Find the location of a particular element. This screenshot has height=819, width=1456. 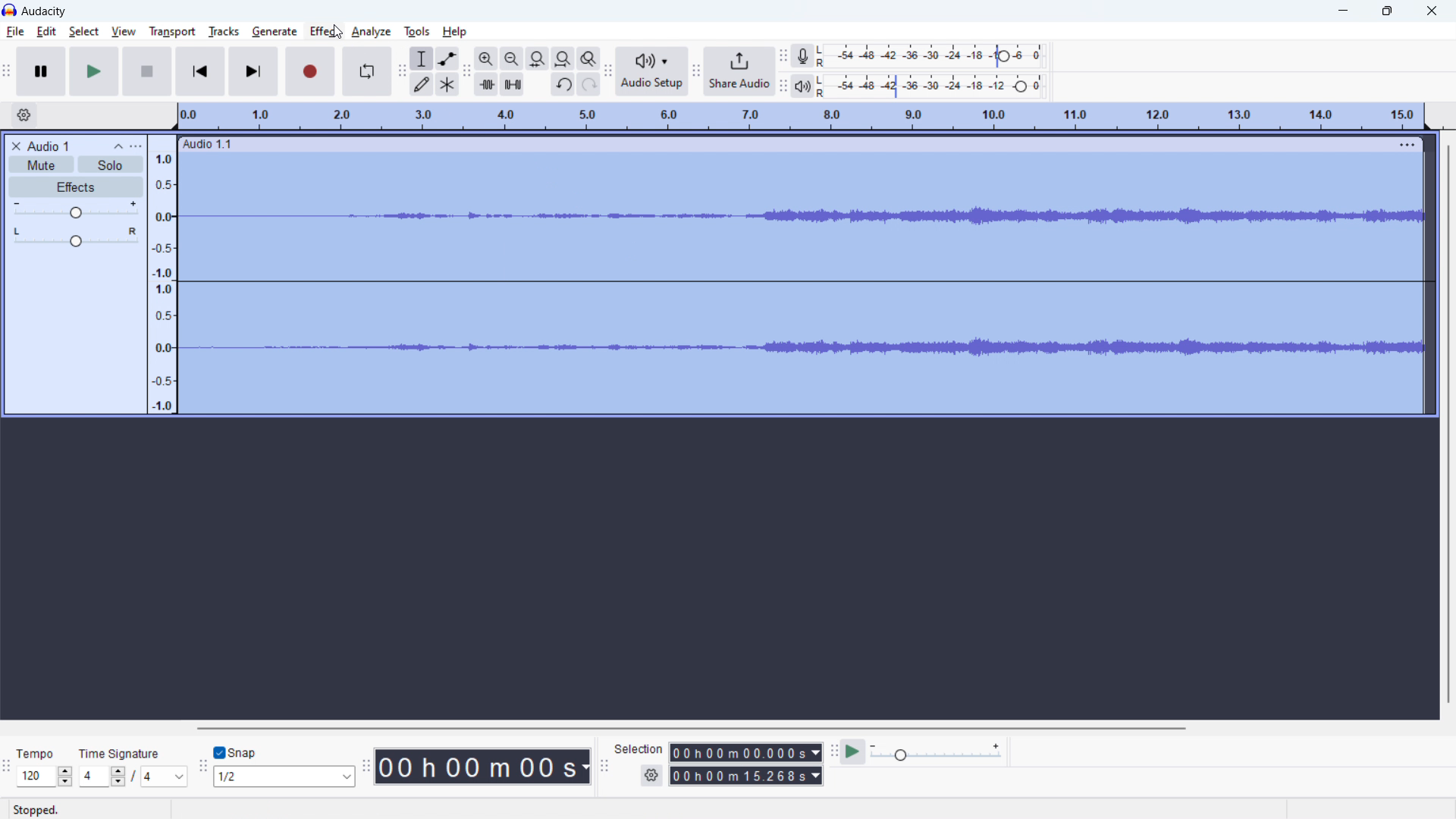

file is located at coordinates (16, 32).